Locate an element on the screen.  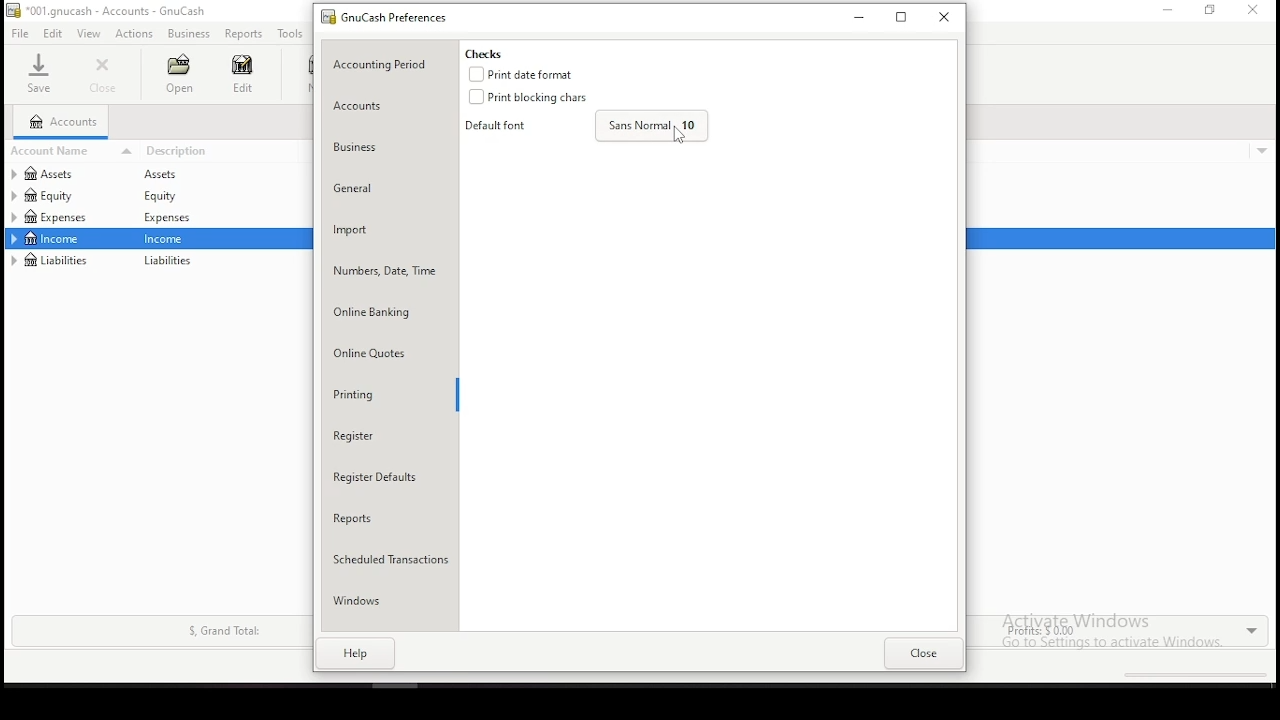
expenses is located at coordinates (67, 217).